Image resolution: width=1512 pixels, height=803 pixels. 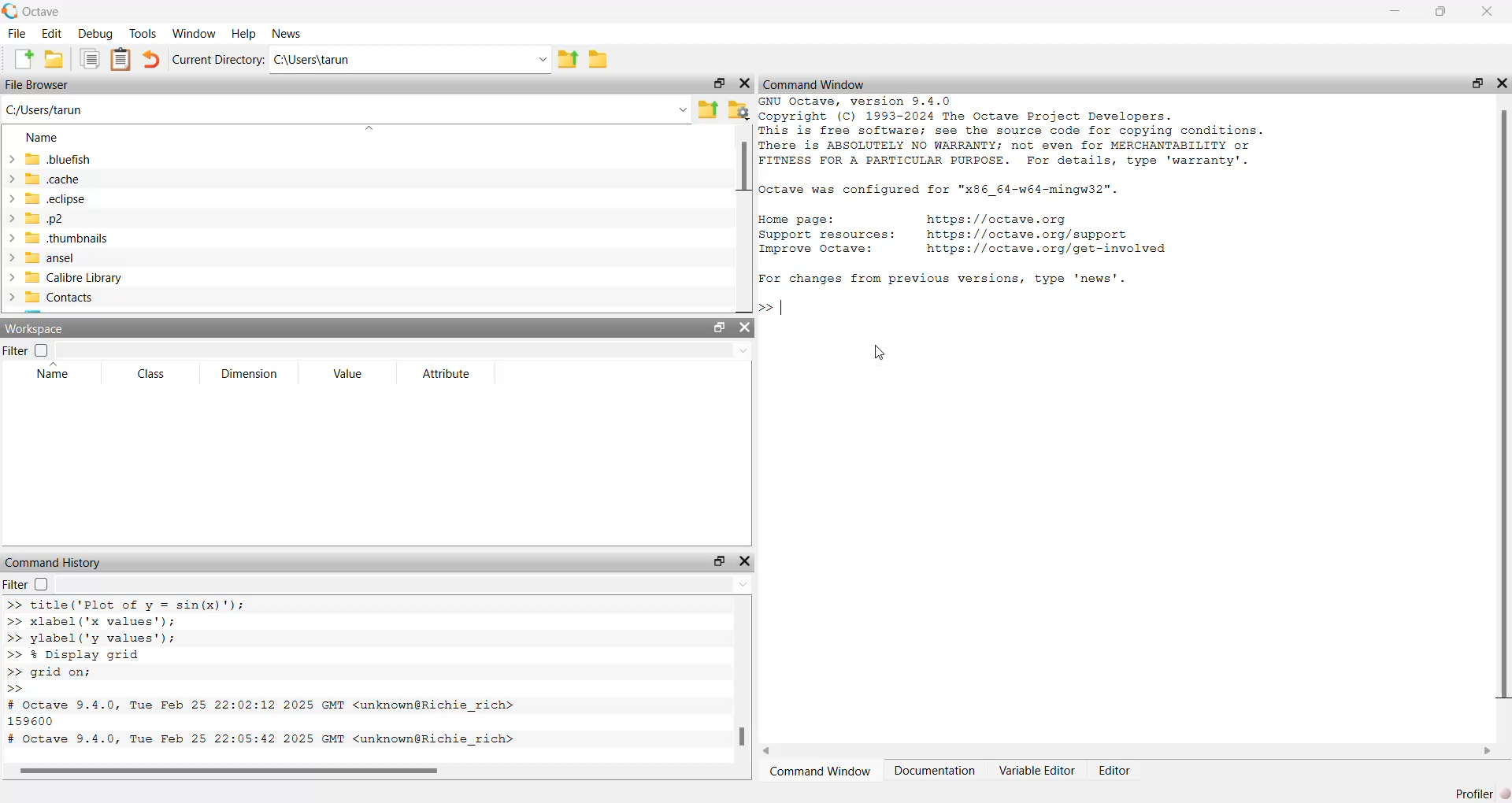 I want to click on down, so click(x=742, y=584).